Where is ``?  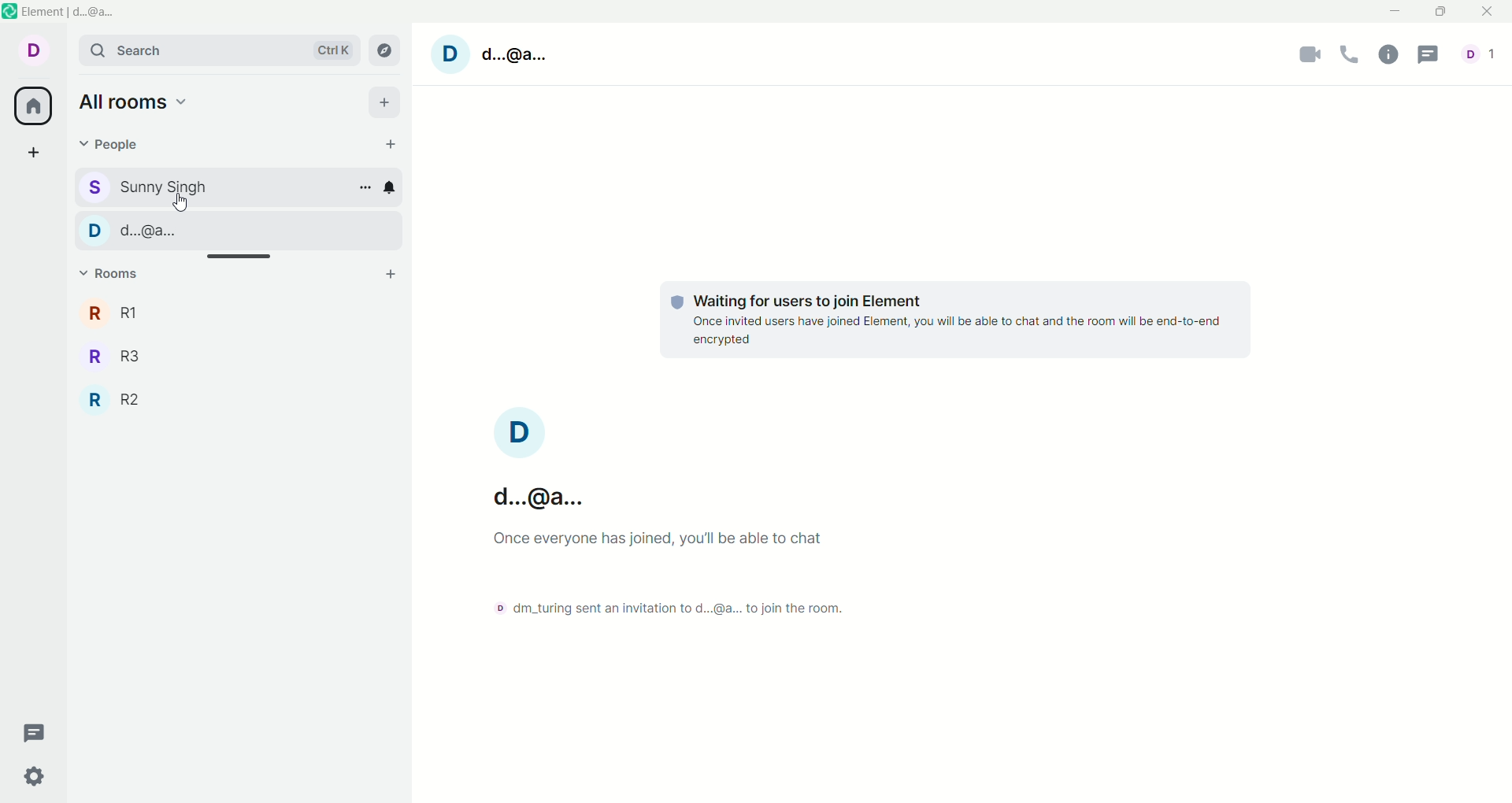  is located at coordinates (533, 500).